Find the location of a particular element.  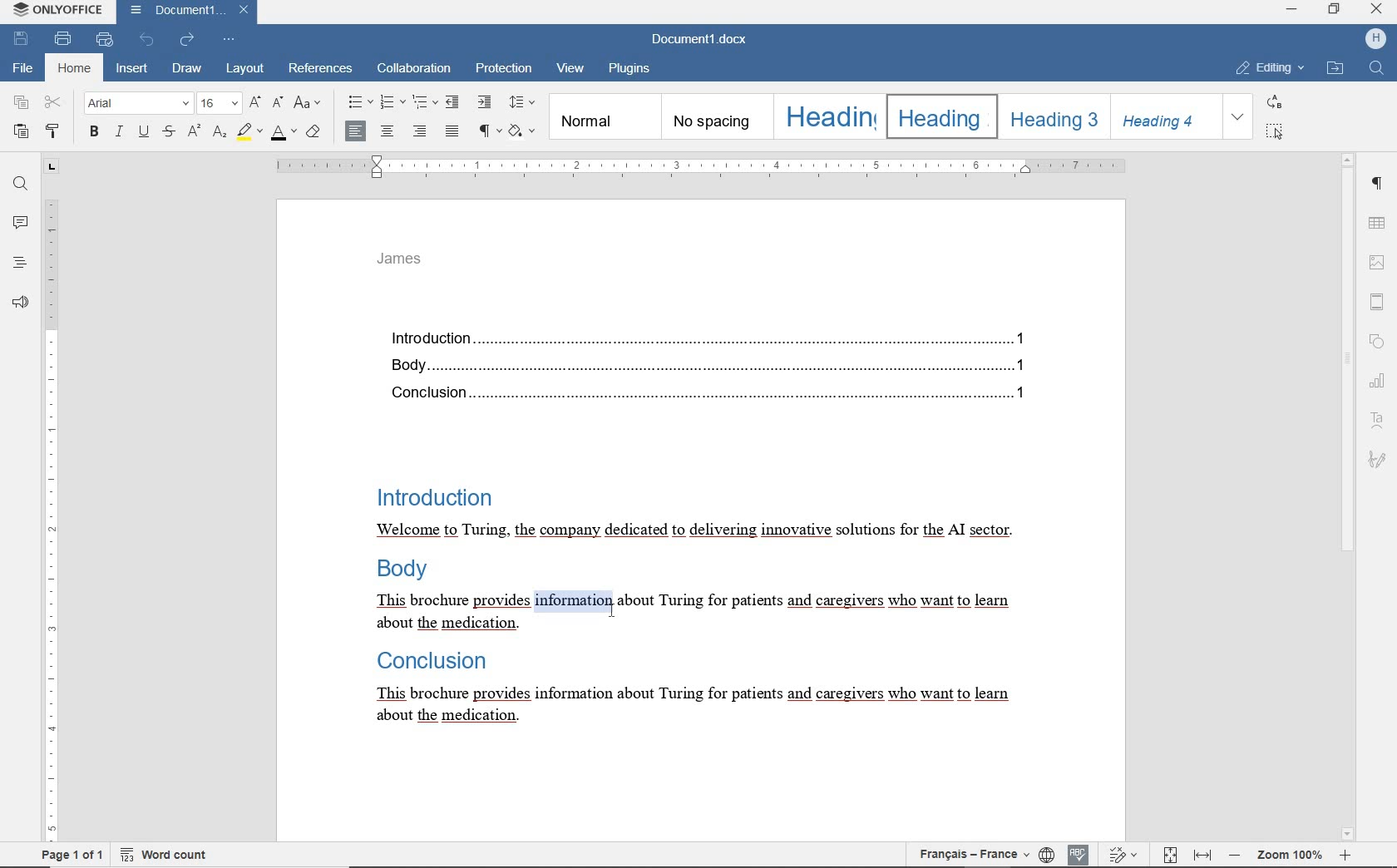

DRAW is located at coordinates (187, 68).